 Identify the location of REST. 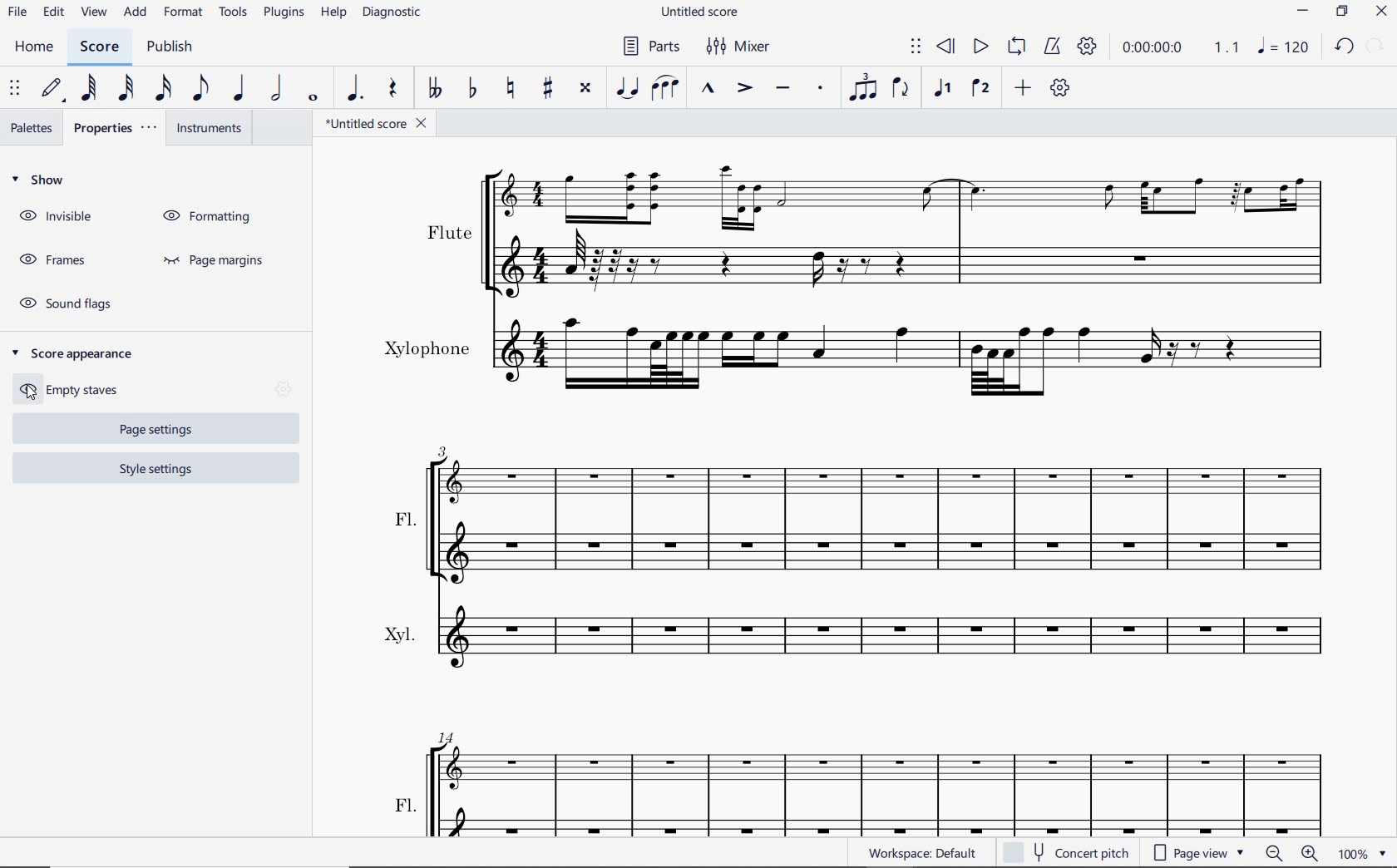
(395, 89).